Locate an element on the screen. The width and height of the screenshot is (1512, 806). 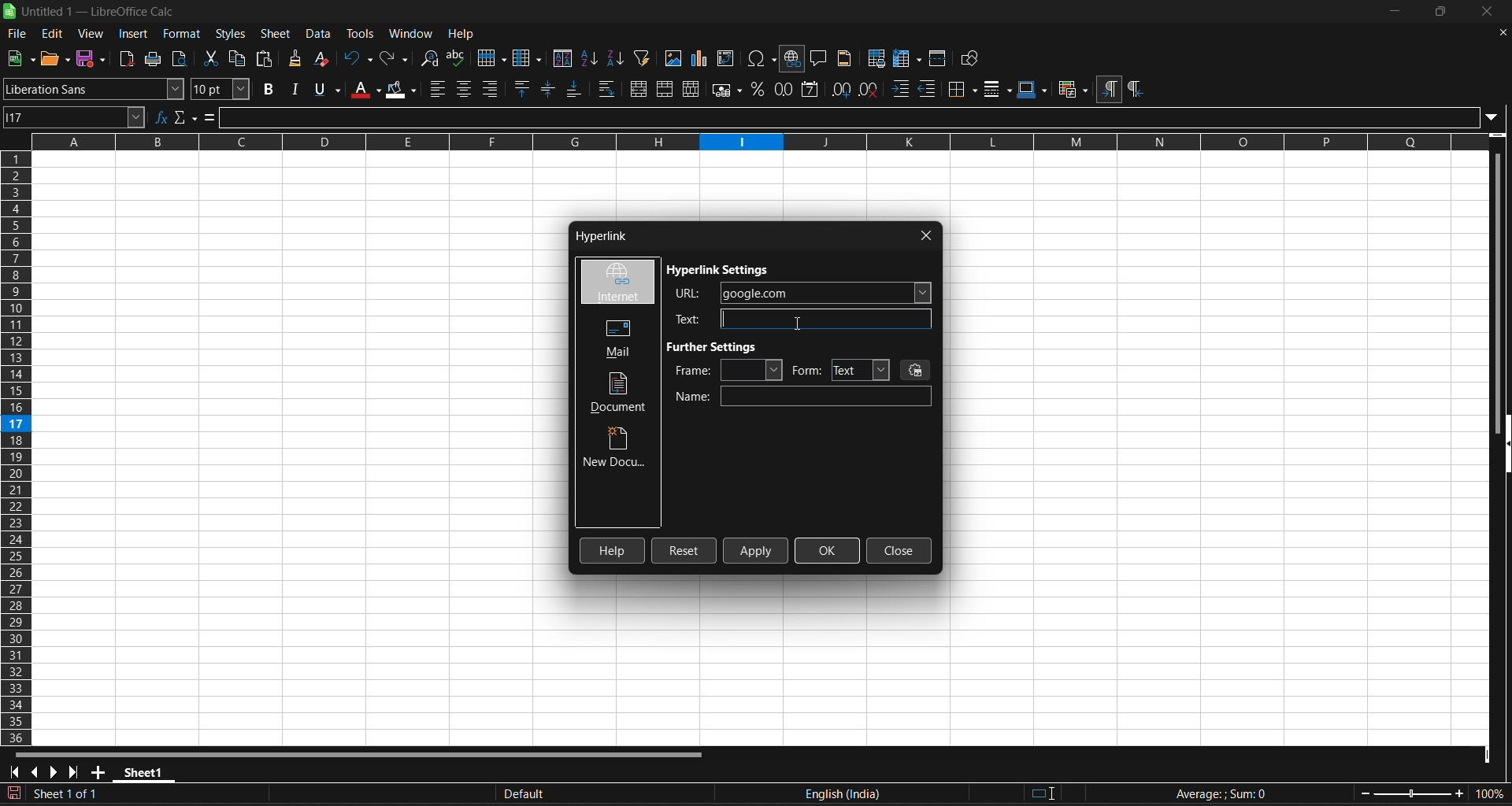
clone formating is located at coordinates (295, 59).